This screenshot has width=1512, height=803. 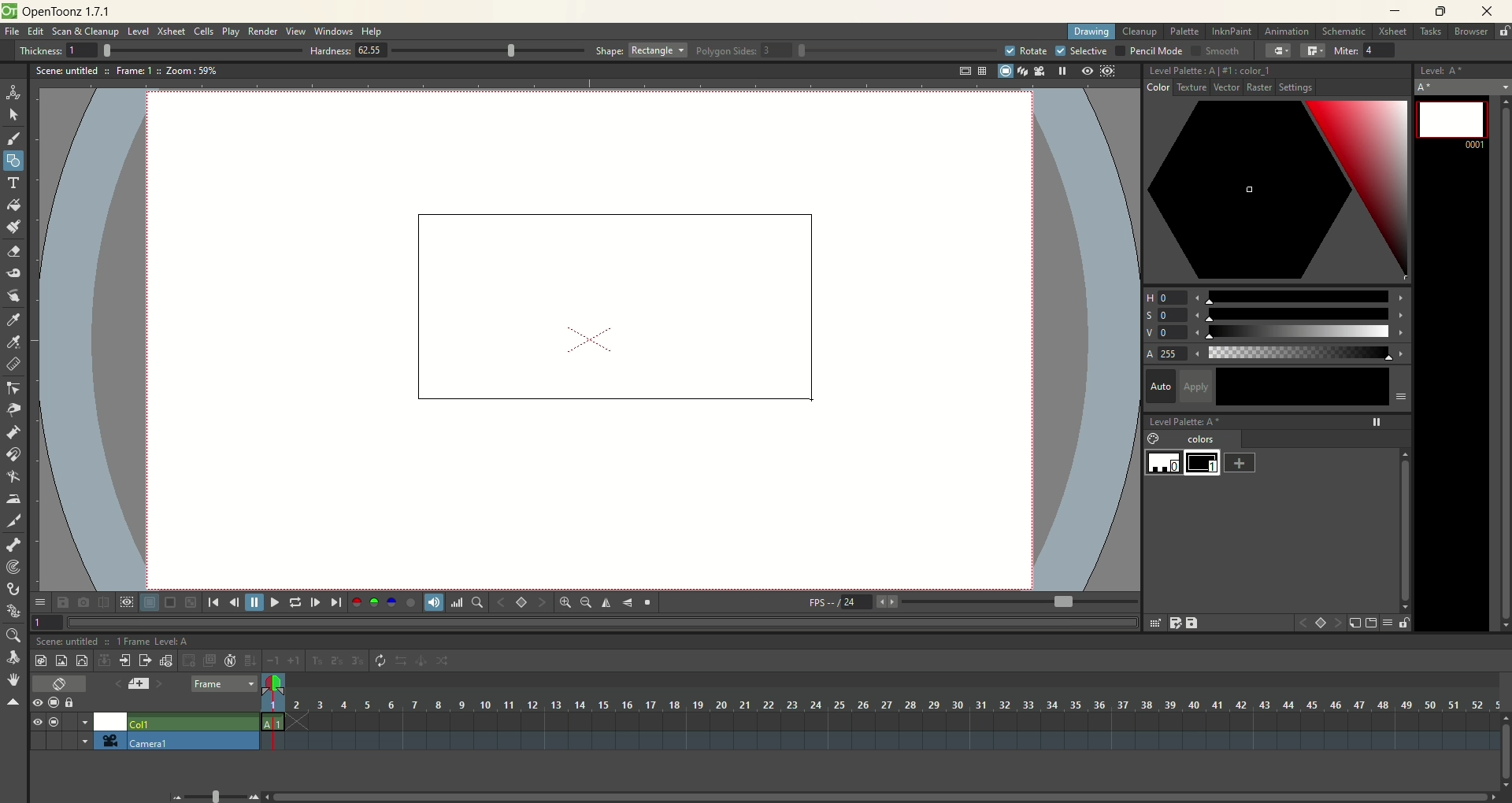 I want to click on red channel, so click(x=357, y=601).